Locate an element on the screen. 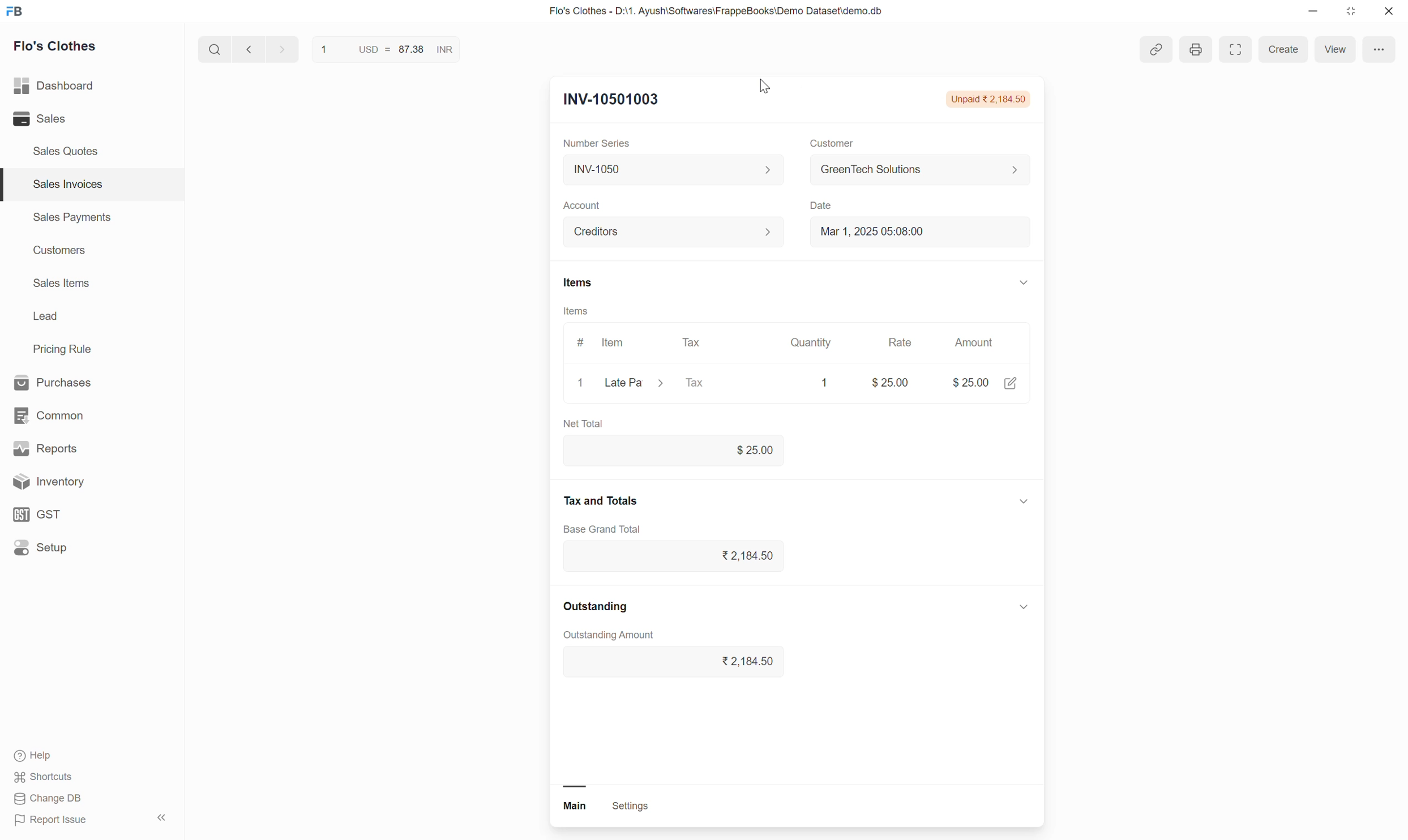 Image resolution: width=1408 pixels, height=840 pixels. Outstanding Amount is located at coordinates (614, 634).